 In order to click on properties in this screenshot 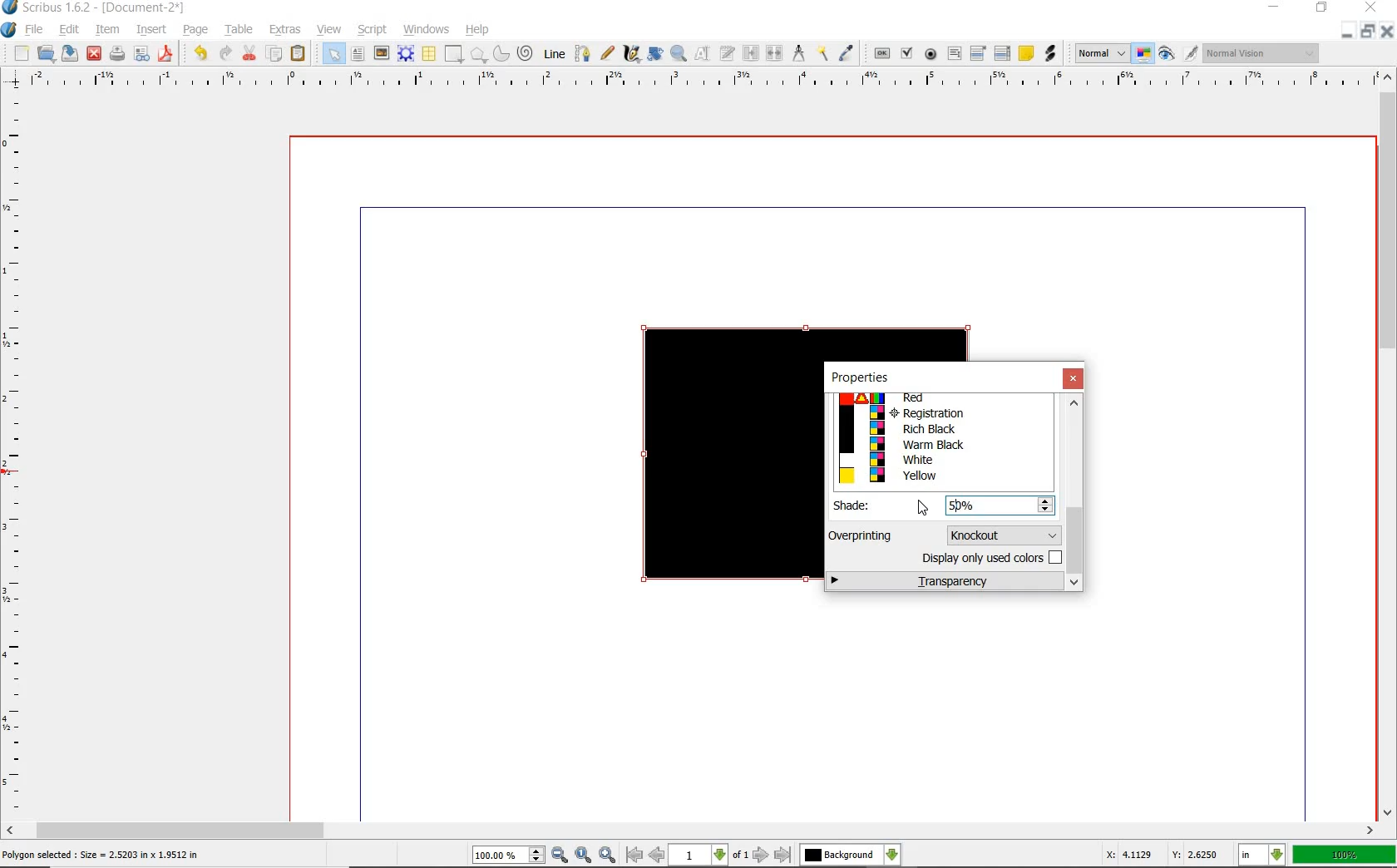, I will do `click(859, 377)`.